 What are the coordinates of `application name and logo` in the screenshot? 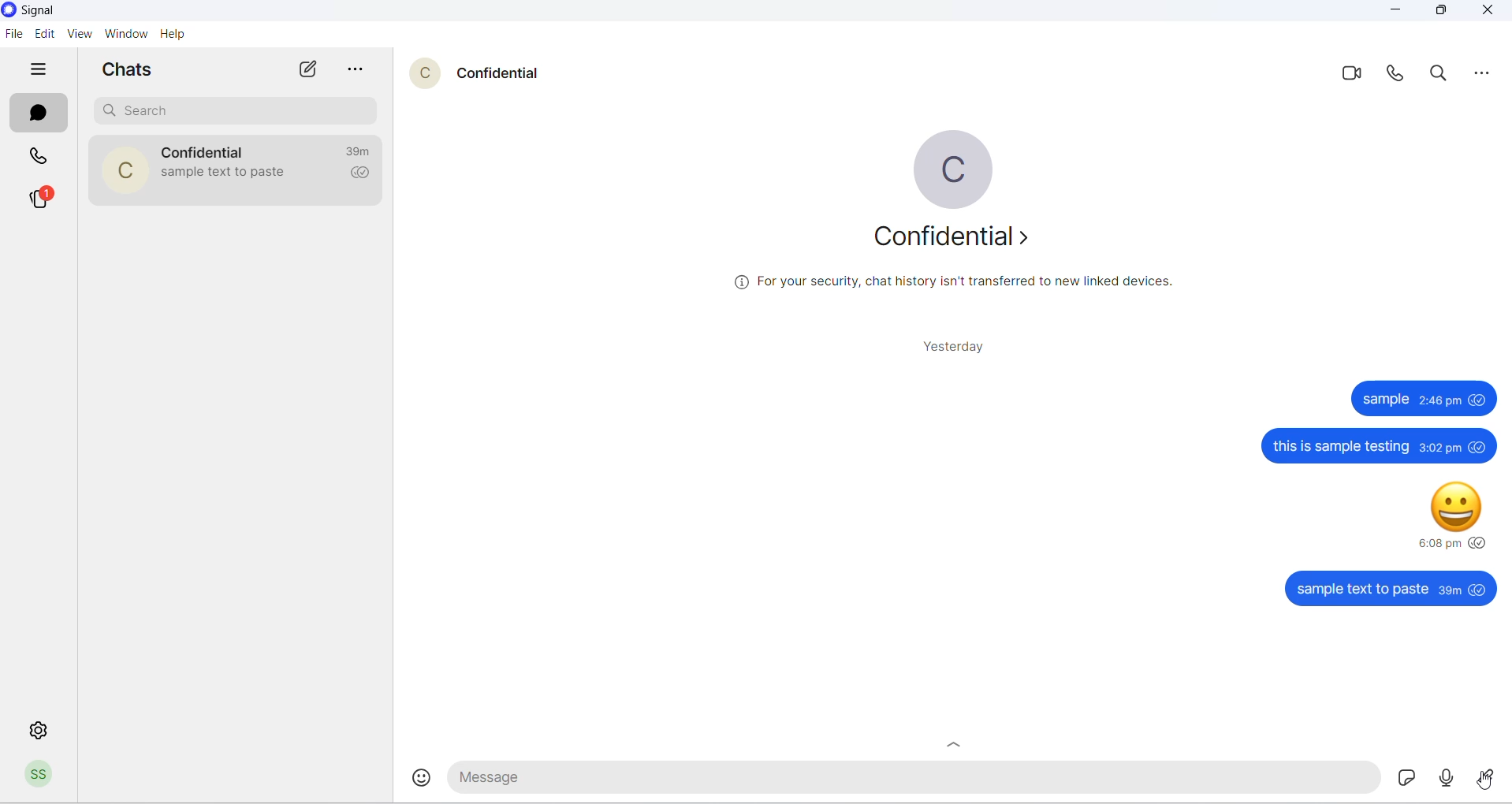 It's located at (43, 11).